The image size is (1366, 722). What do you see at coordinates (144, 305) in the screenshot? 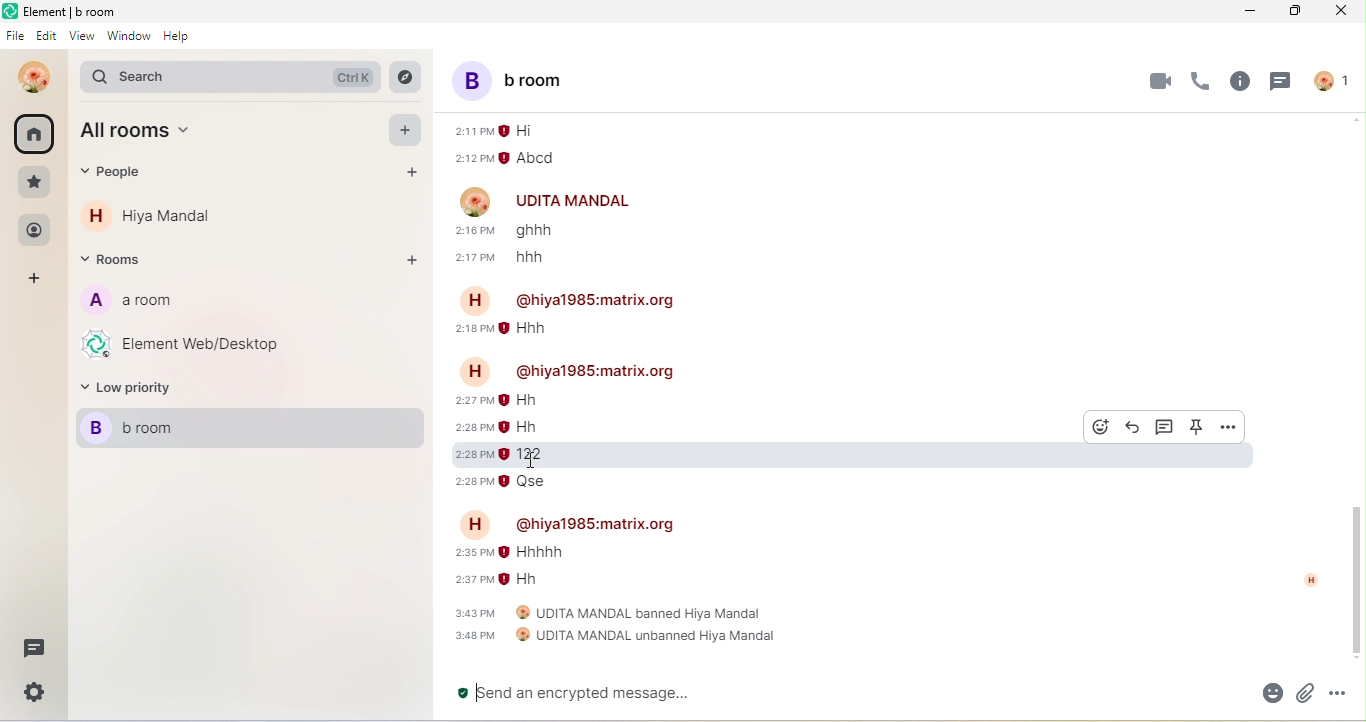
I see `a room` at bounding box center [144, 305].